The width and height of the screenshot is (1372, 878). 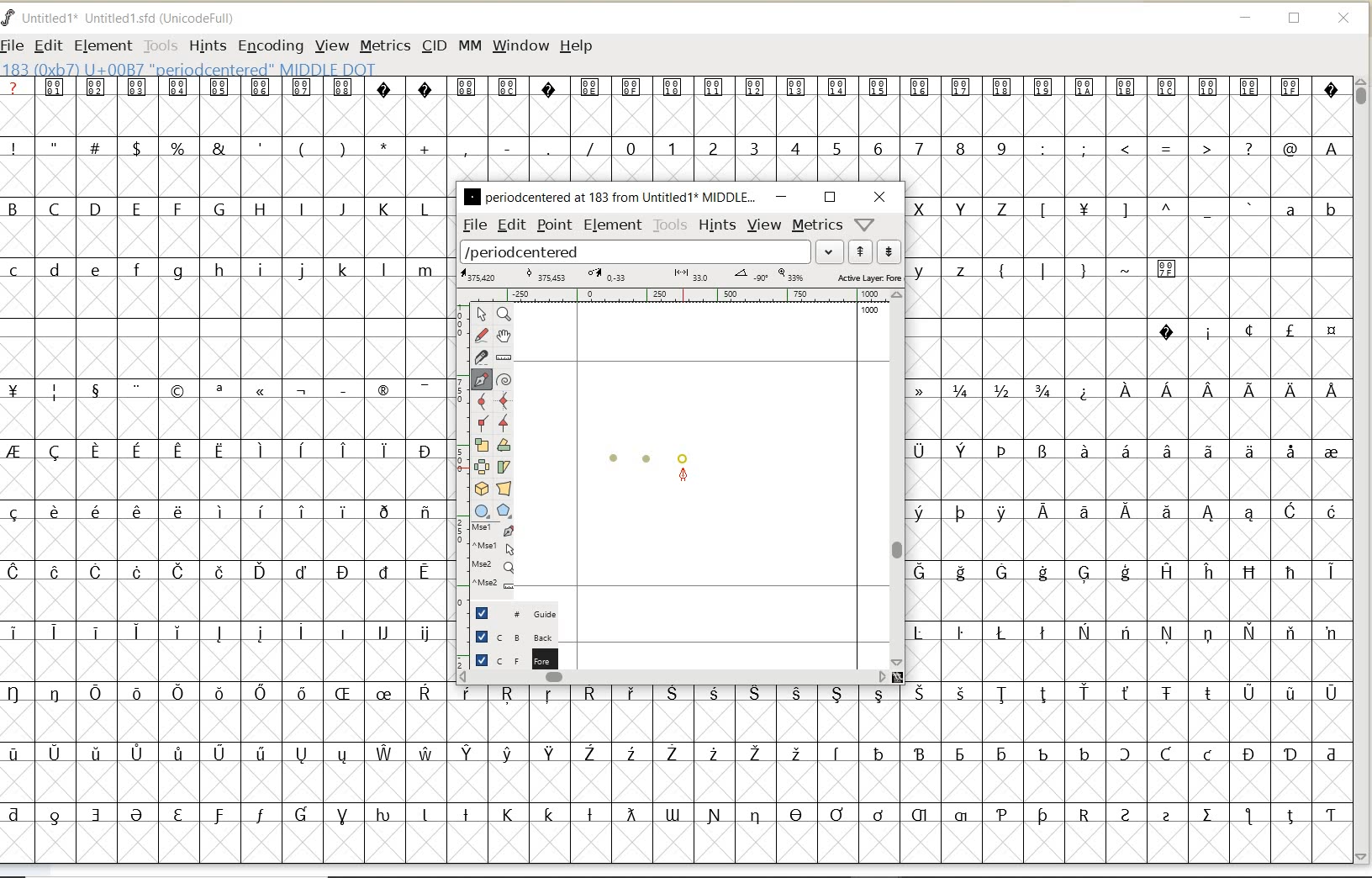 I want to click on pointer, so click(x=481, y=315).